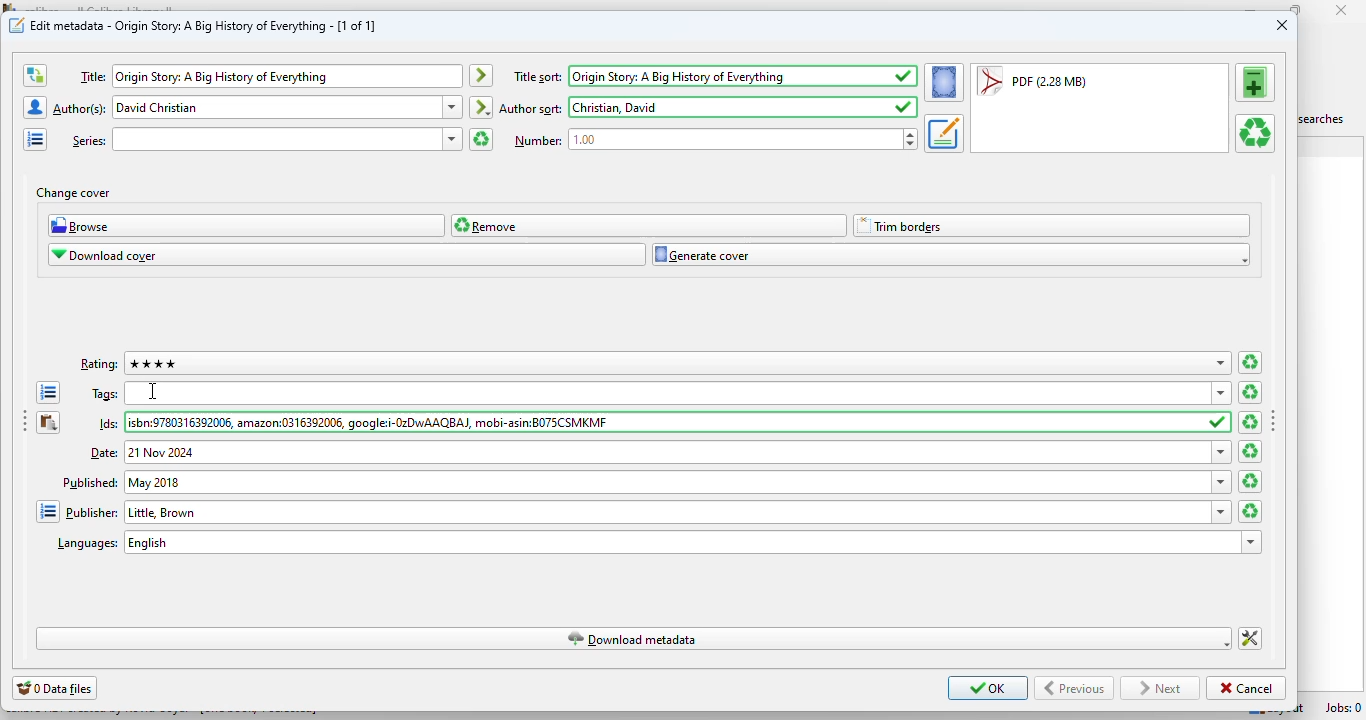  Describe the element at coordinates (348, 255) in the screenshot. I see `download cover` at that location.